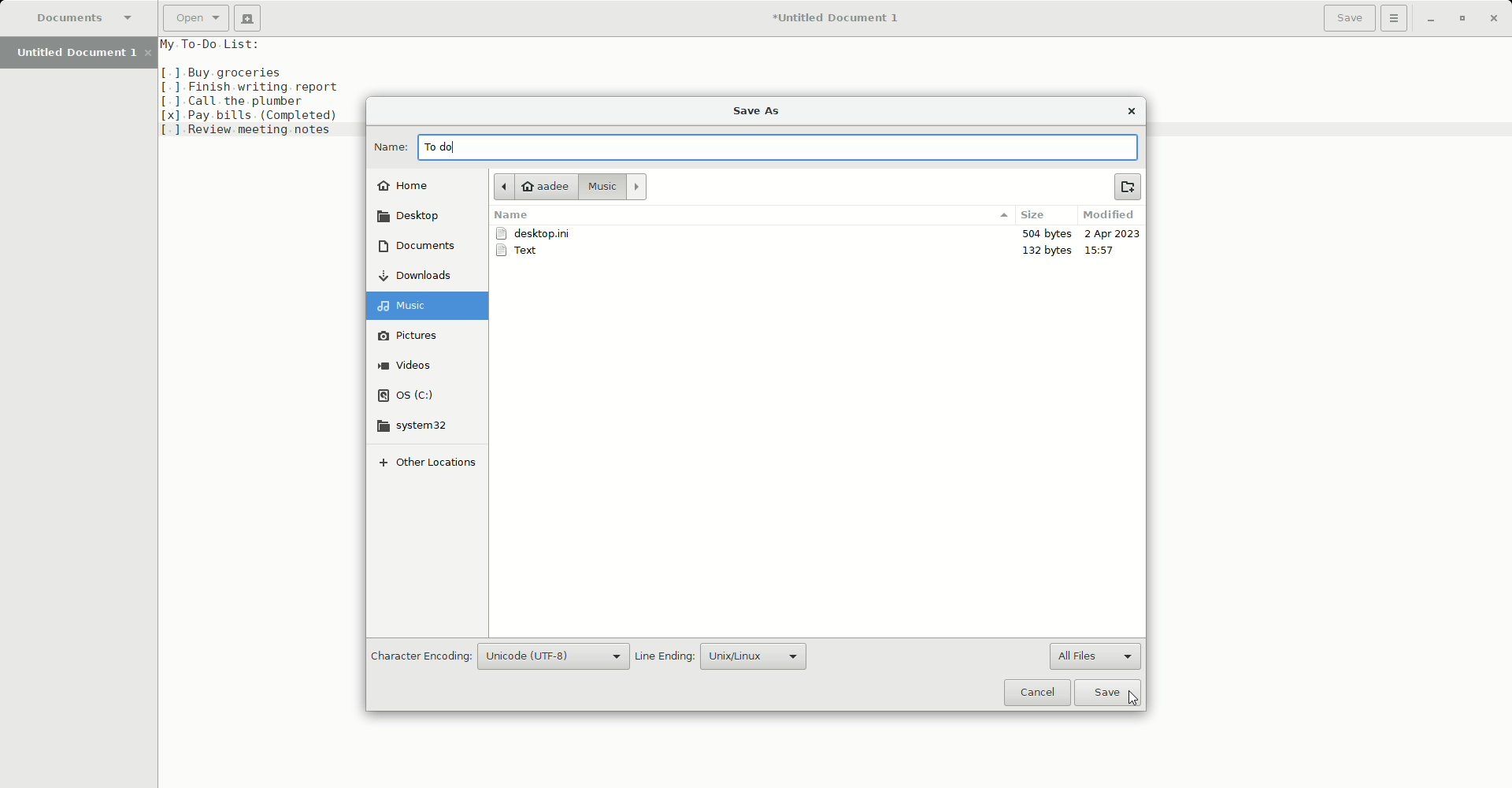 This screenshot has height=788, width=1512. I want to click on Character encoding, so click(419, 656).